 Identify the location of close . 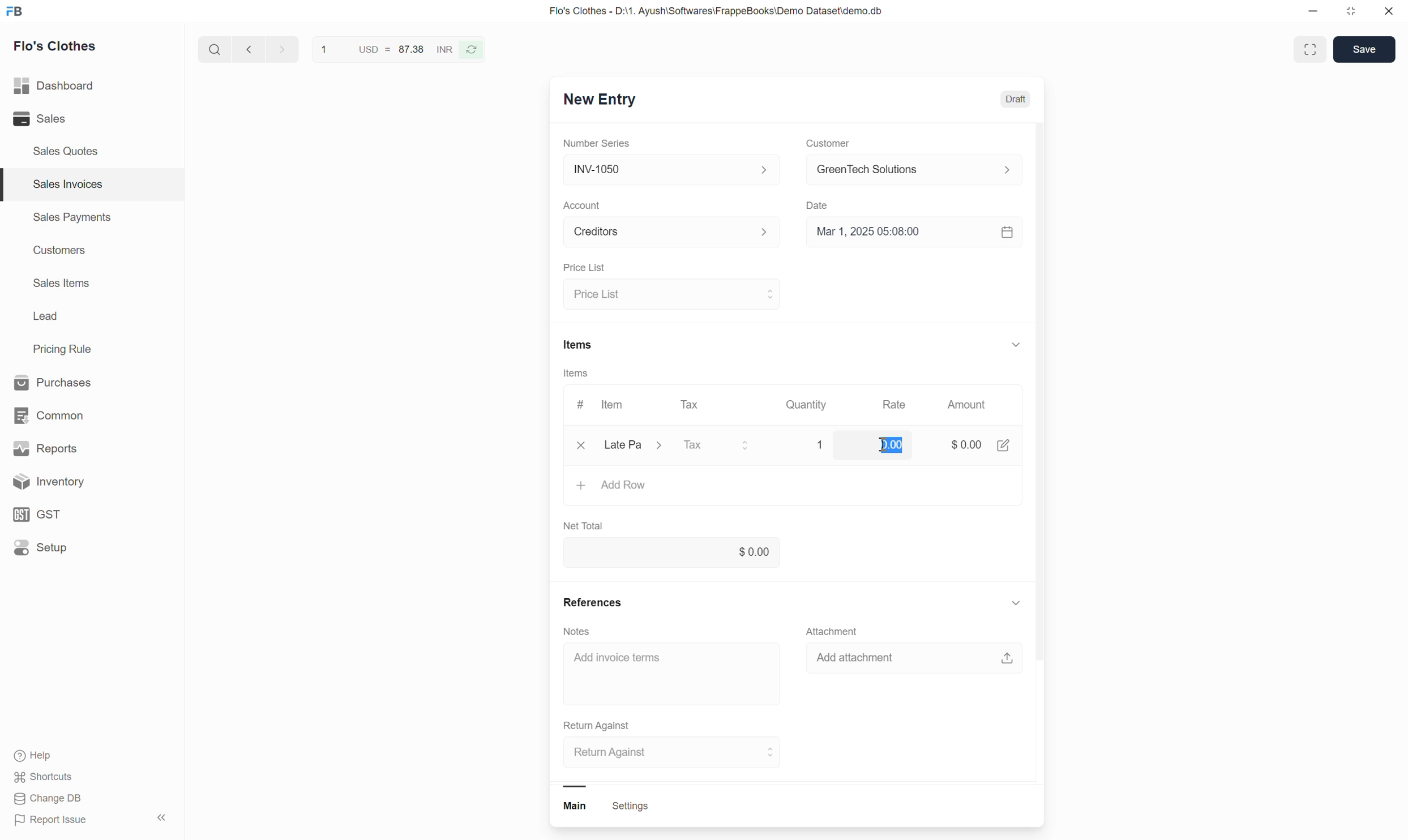
(575, 448).